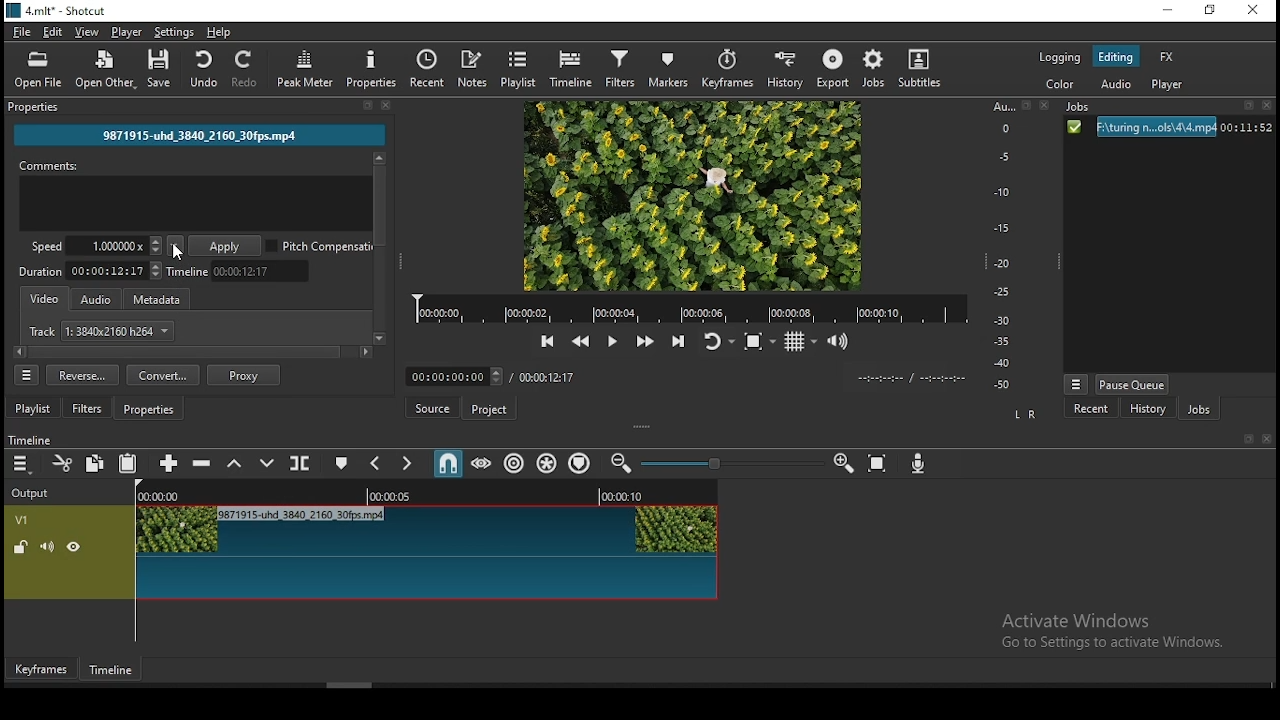  I want to click on player, so click(126, 31).